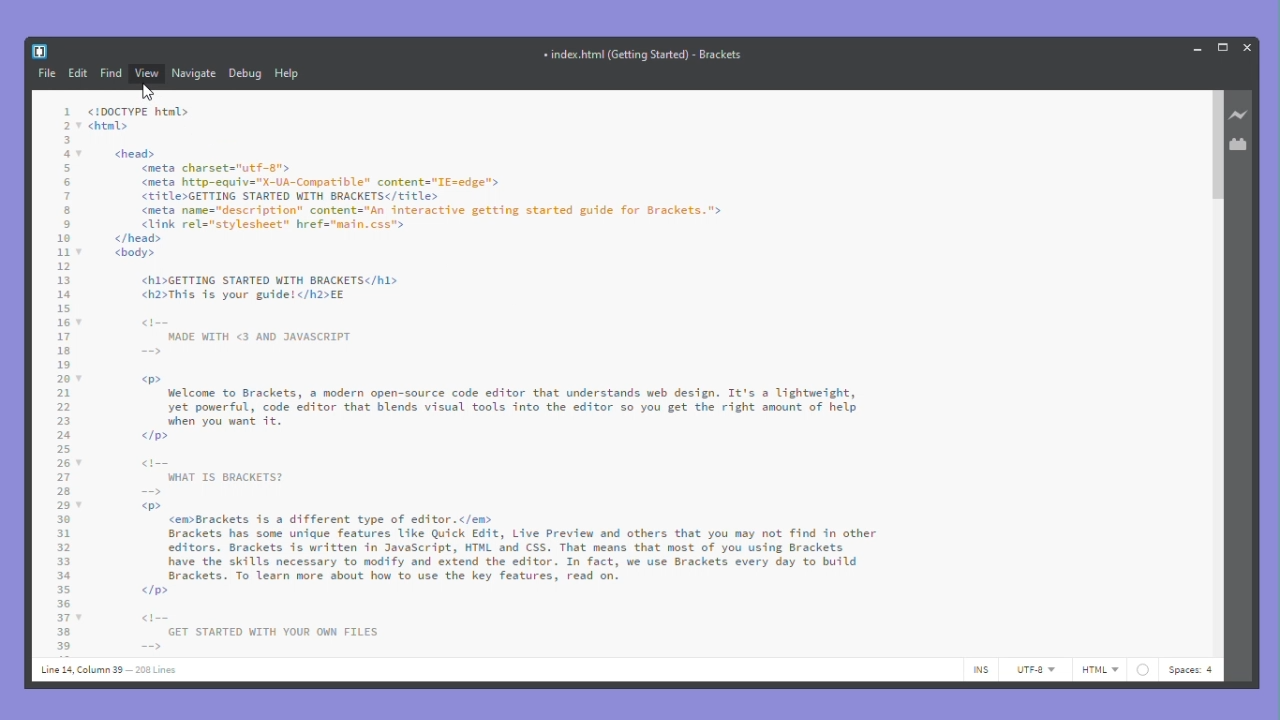  What do you see at coordinates (64, 239) in the screenshot?
I see `10` at bounding box center [64, 239].